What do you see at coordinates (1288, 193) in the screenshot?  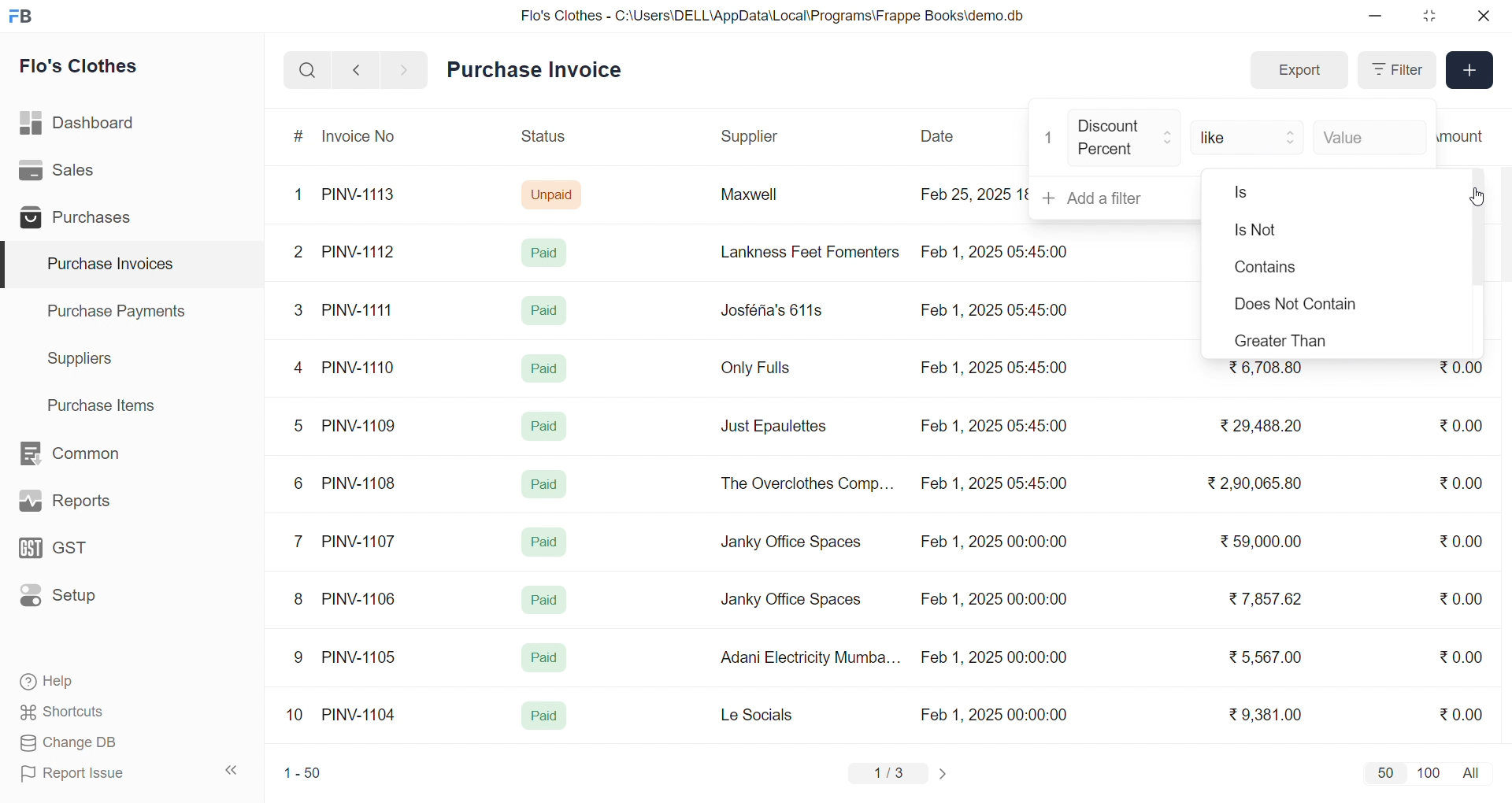 I see `Is` at bounding box center [1288, 193].